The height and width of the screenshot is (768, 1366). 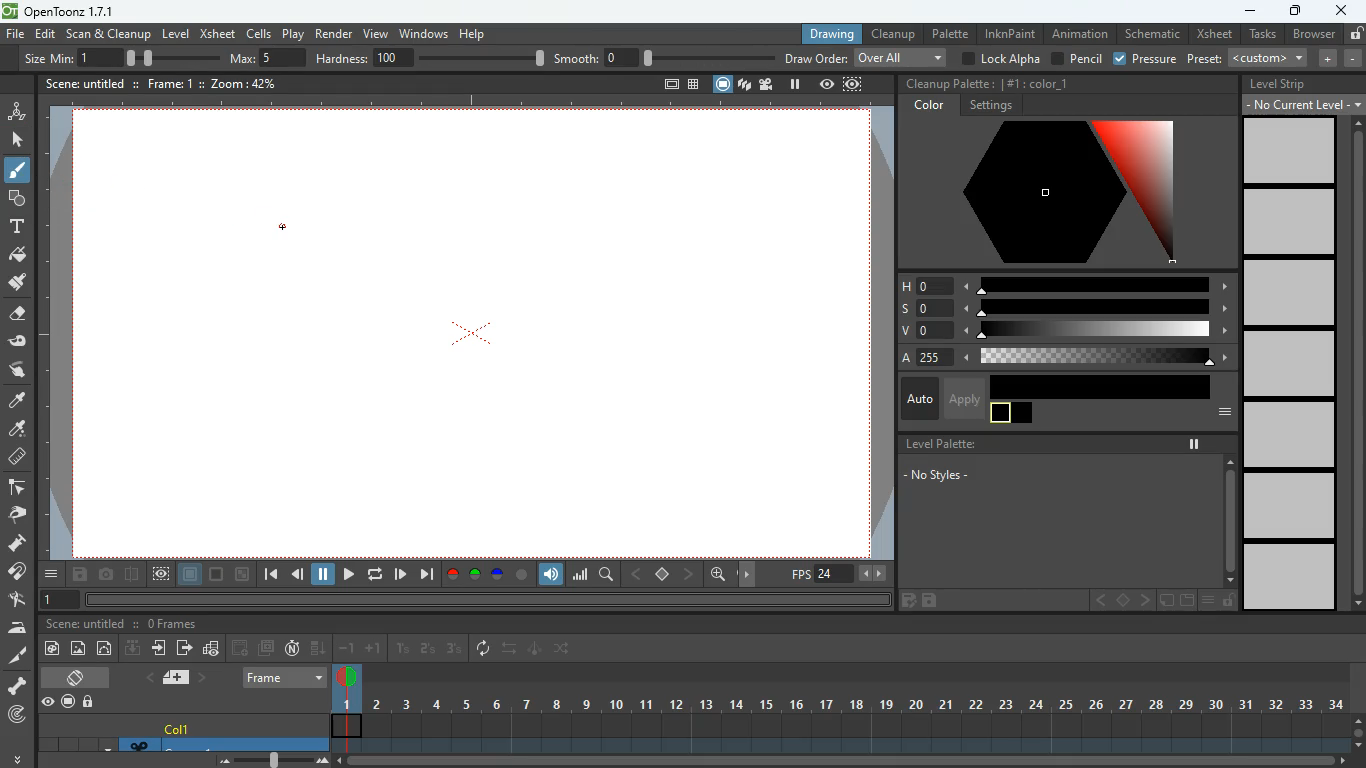 I want to click on scroll, so click(x=850, y=762).